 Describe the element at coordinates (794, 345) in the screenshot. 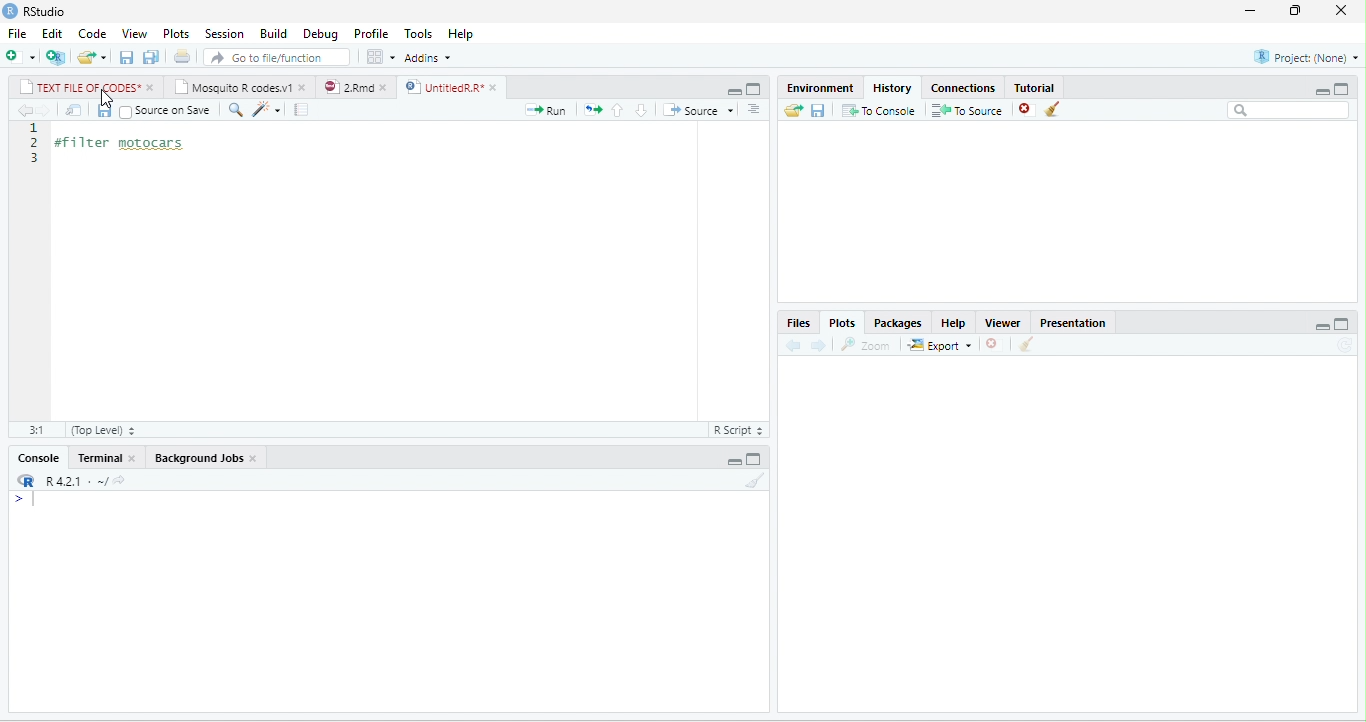

I see `back` at that location.